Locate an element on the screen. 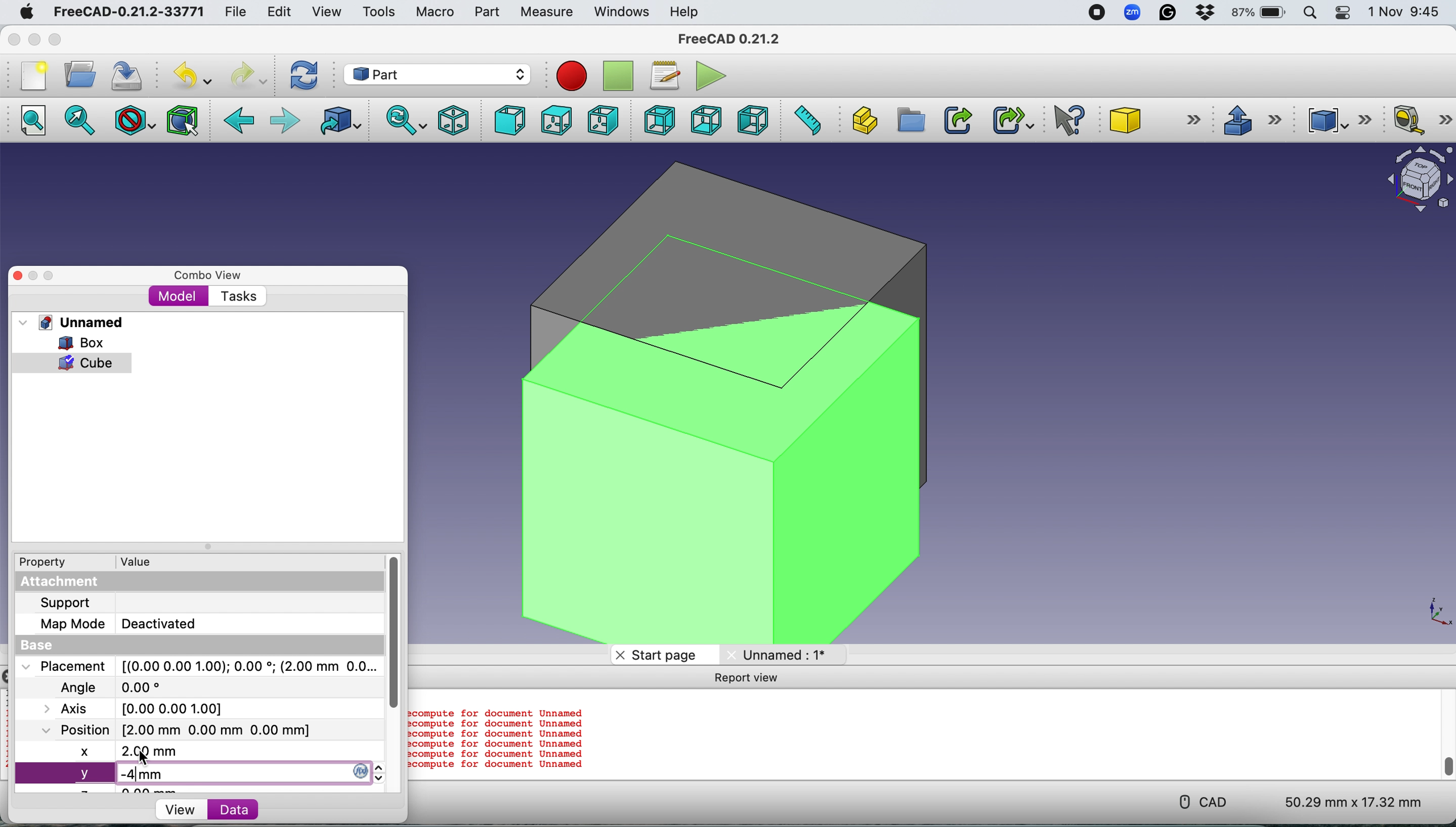 The height and width of the screenshot is (827, 1456). Model is located at coordinates (178, 297).